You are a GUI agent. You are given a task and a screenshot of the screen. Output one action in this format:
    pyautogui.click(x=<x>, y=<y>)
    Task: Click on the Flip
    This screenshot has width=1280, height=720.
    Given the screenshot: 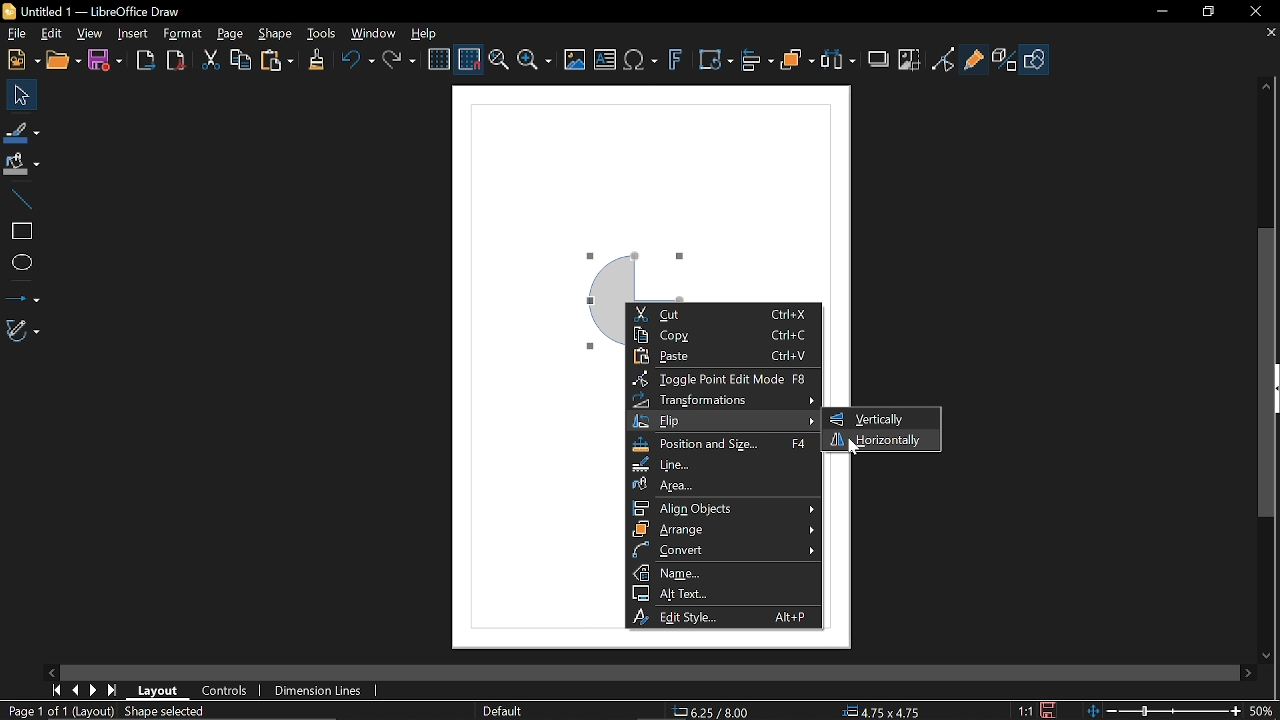 What is the action you would take?
    pyautogui.click(x=724, y=422)
    